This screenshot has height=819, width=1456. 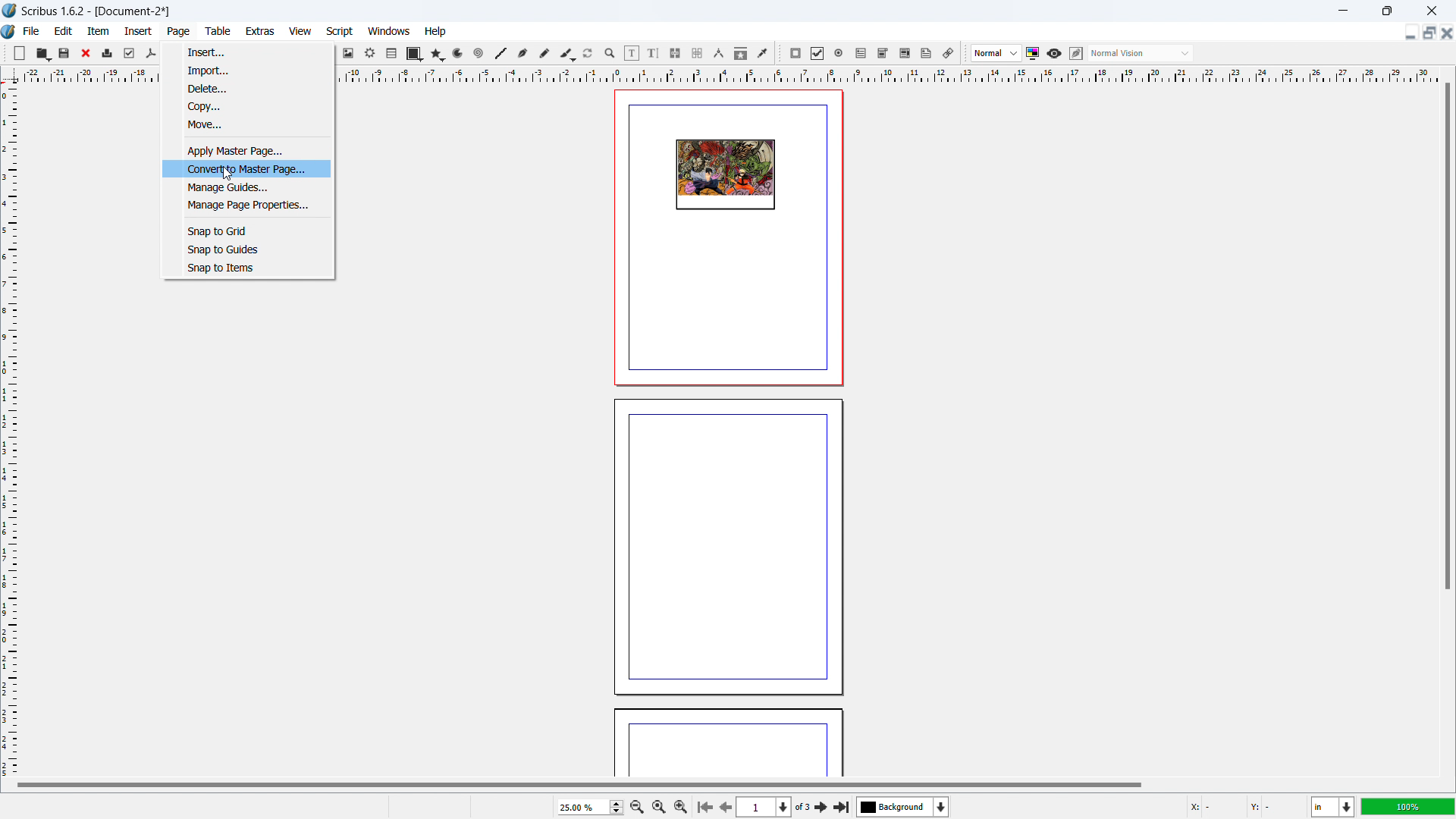 I want to click on page, so click(x=726, y=547).